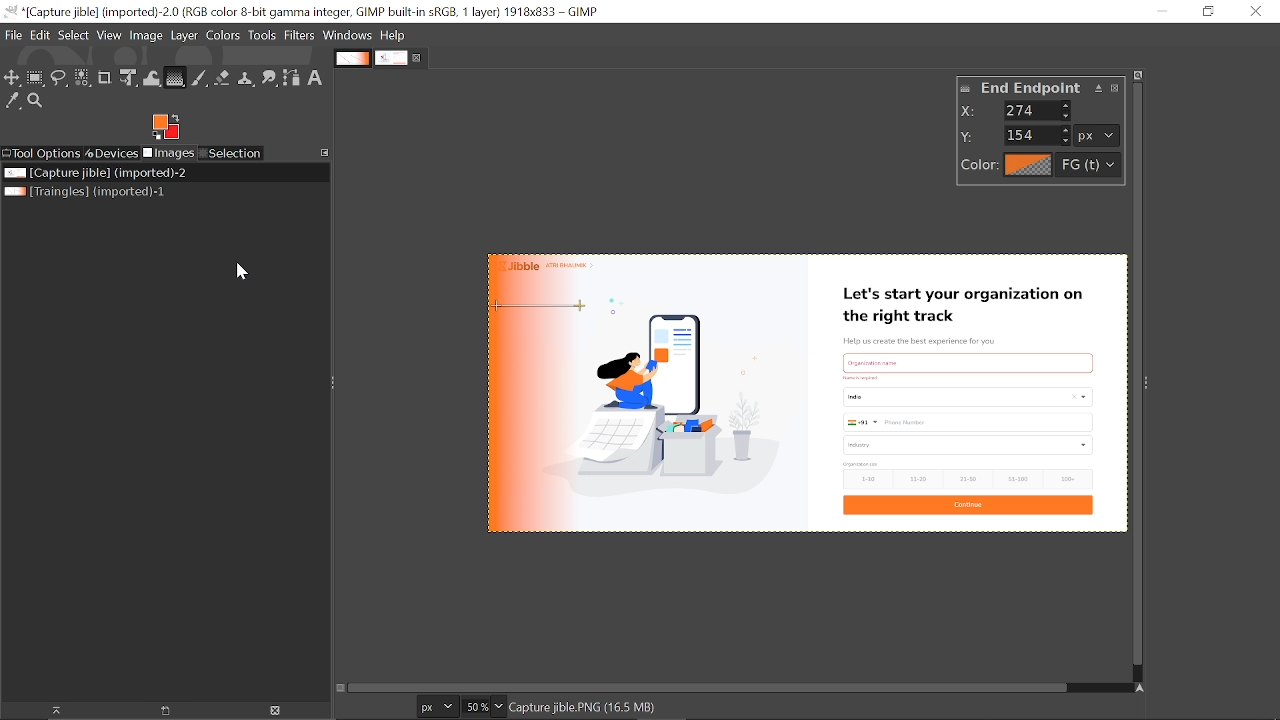 The image size is (1280, 720). What do you see at coordinates (383, 705) in the screenshot?
I see `22.0 154.0` at bounding box center [383, 705].